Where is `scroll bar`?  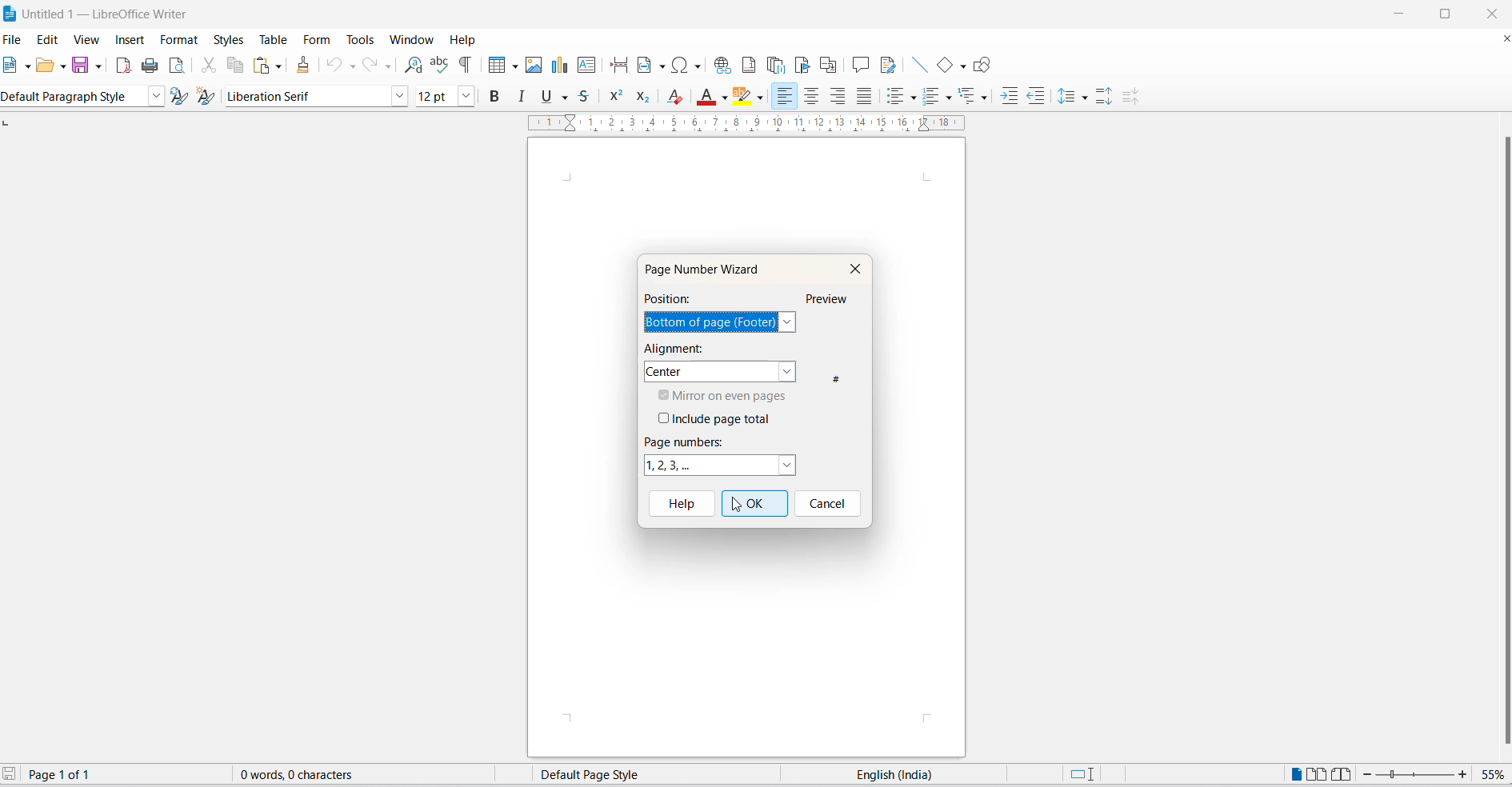
scroll bar is located at coordinates (1502, 439).